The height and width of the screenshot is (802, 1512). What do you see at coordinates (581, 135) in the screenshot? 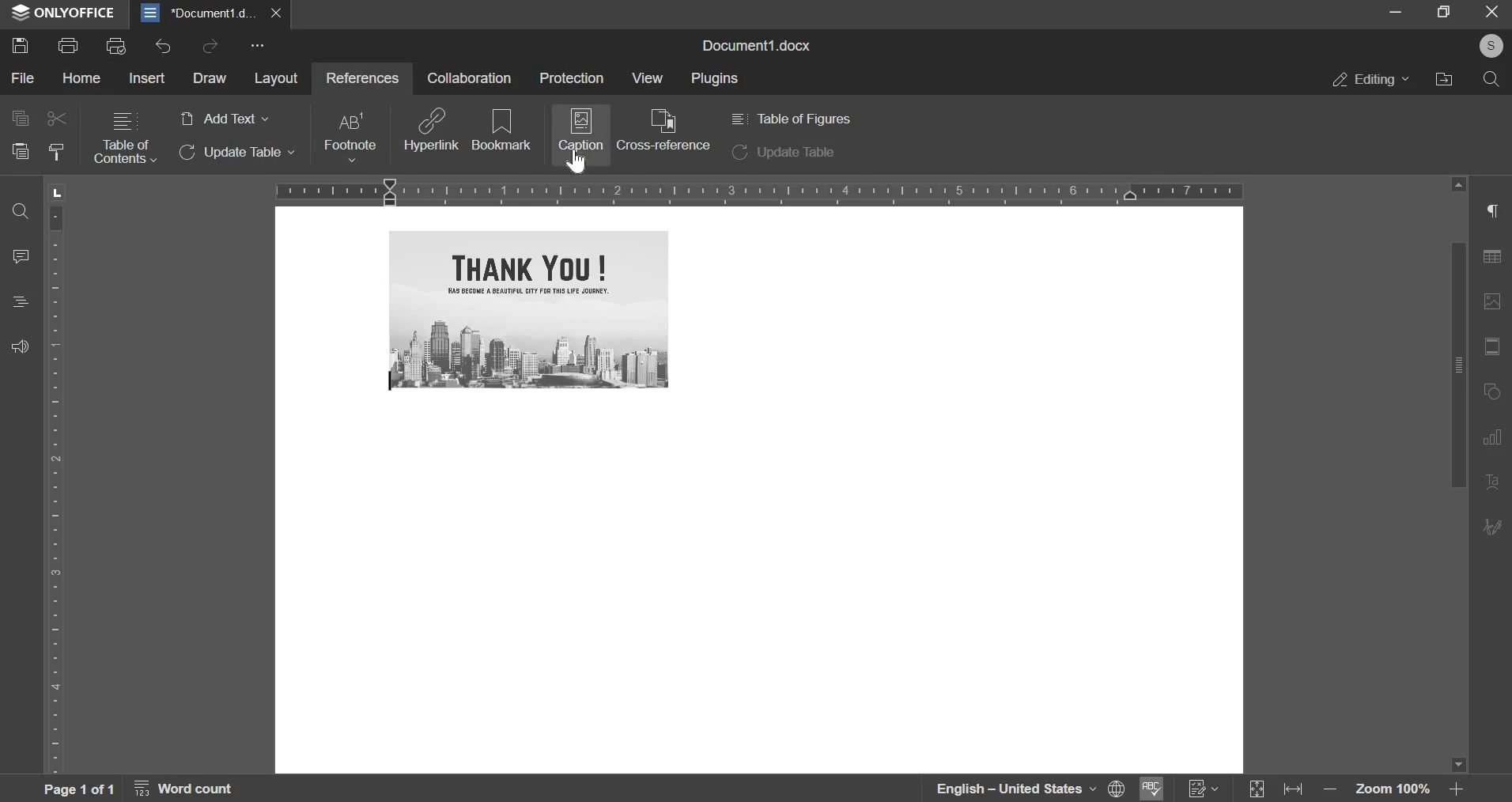
I see `caption` at bounding box center [581, 135].